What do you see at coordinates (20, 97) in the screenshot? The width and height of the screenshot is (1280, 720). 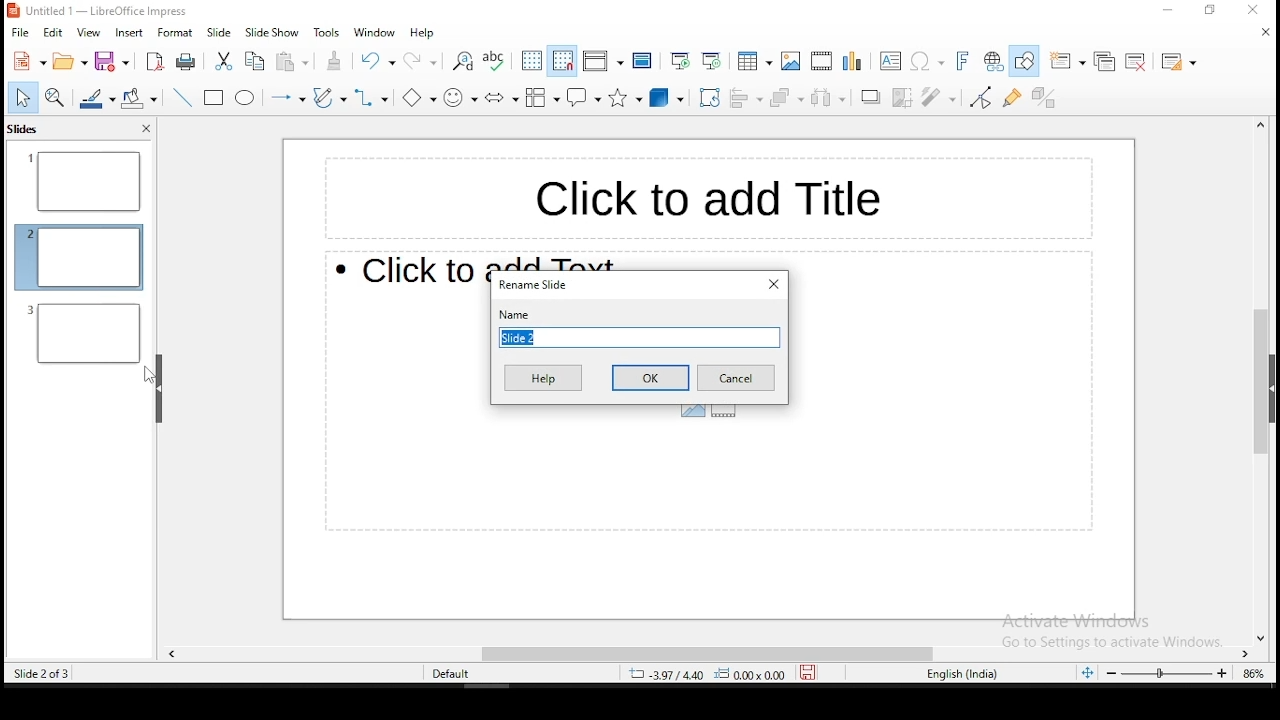 I see `select tool` at bounding box center [20, 97].